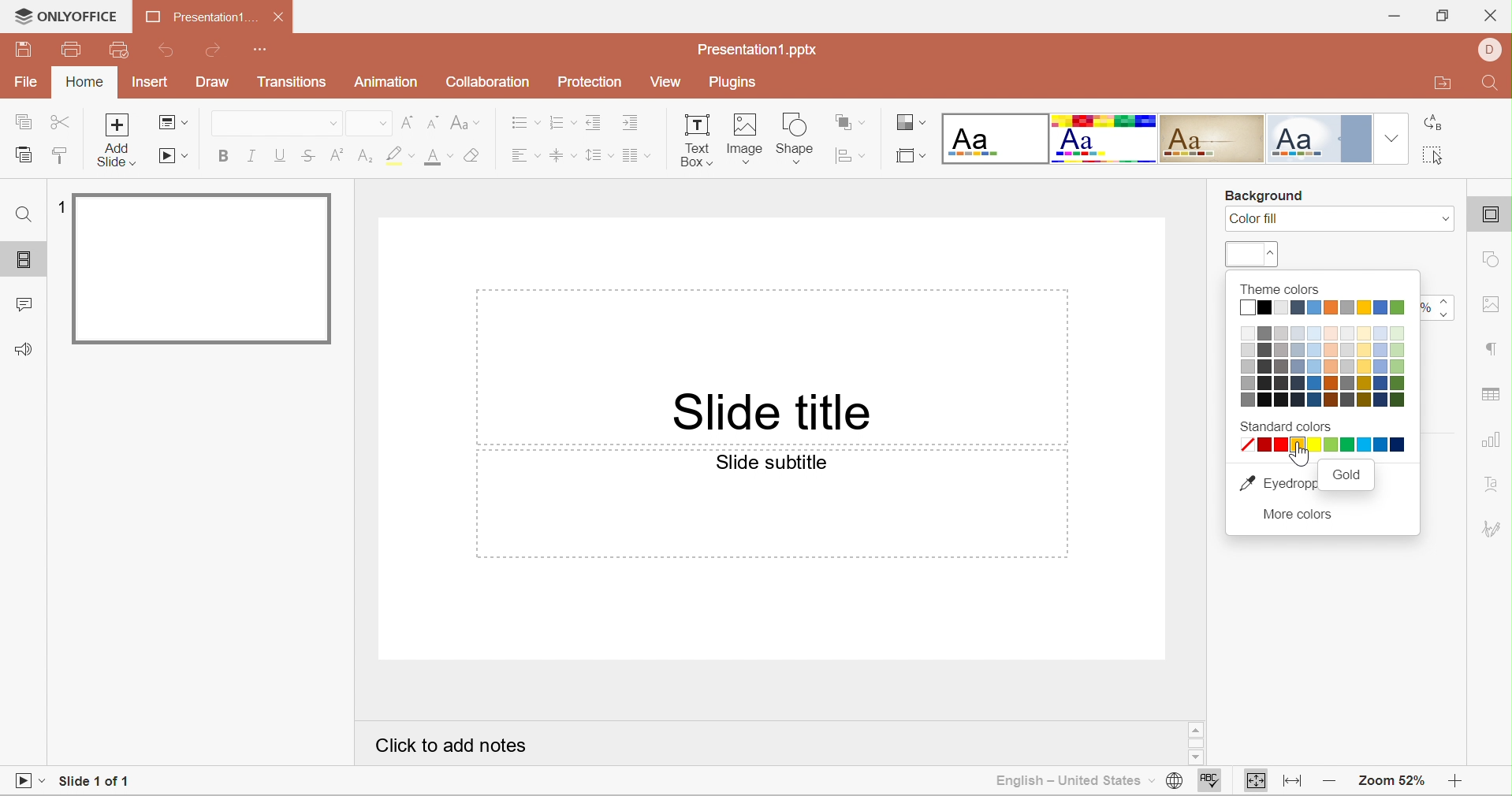 The image size is (1512, 796). What do you see at coordinates (1294, 515) in the screenshot?
I see `More color options` at bounding box center [1294, 515].